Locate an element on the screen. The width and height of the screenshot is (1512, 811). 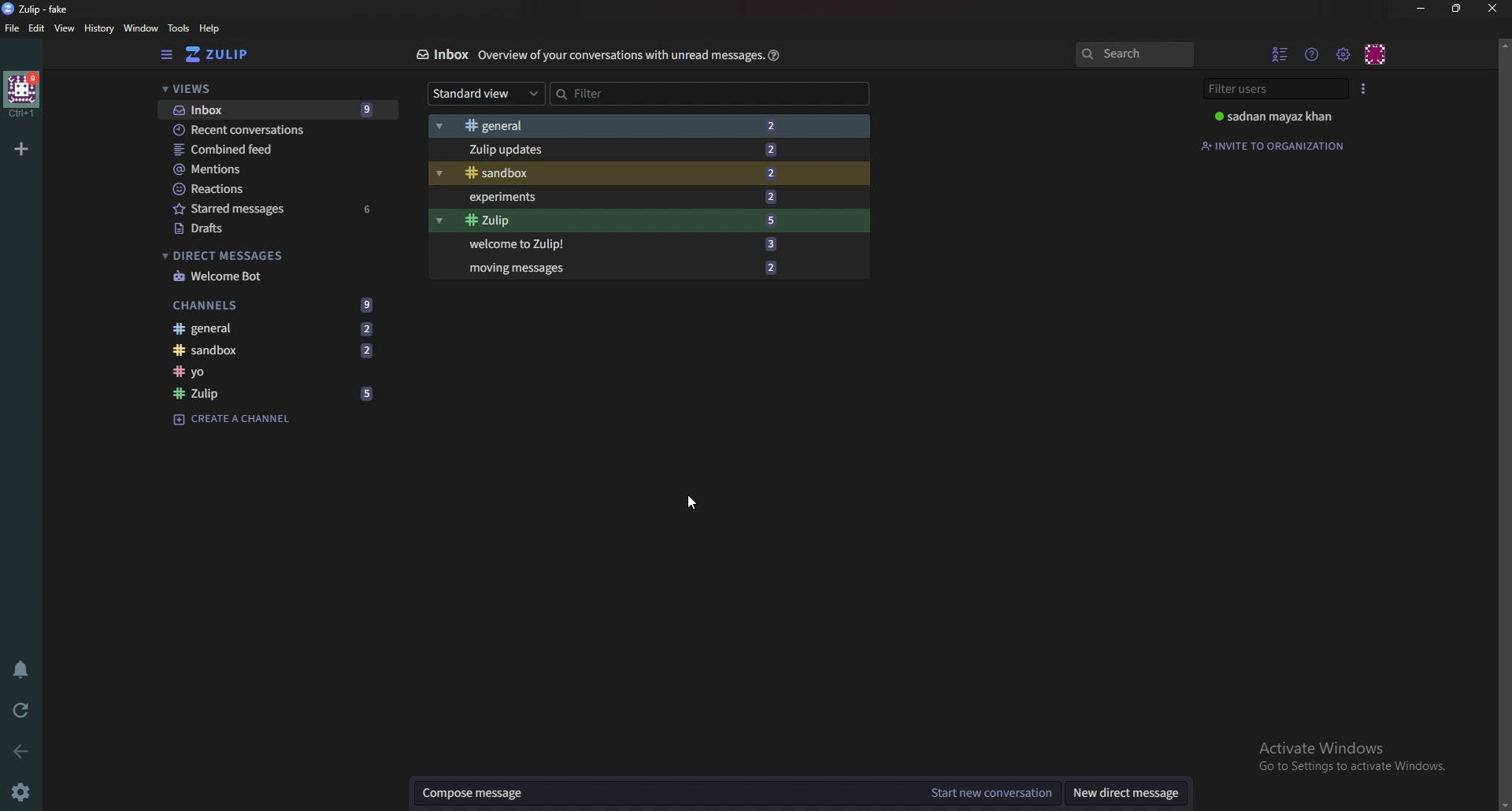
reactions is located at coordinates (273, 189).